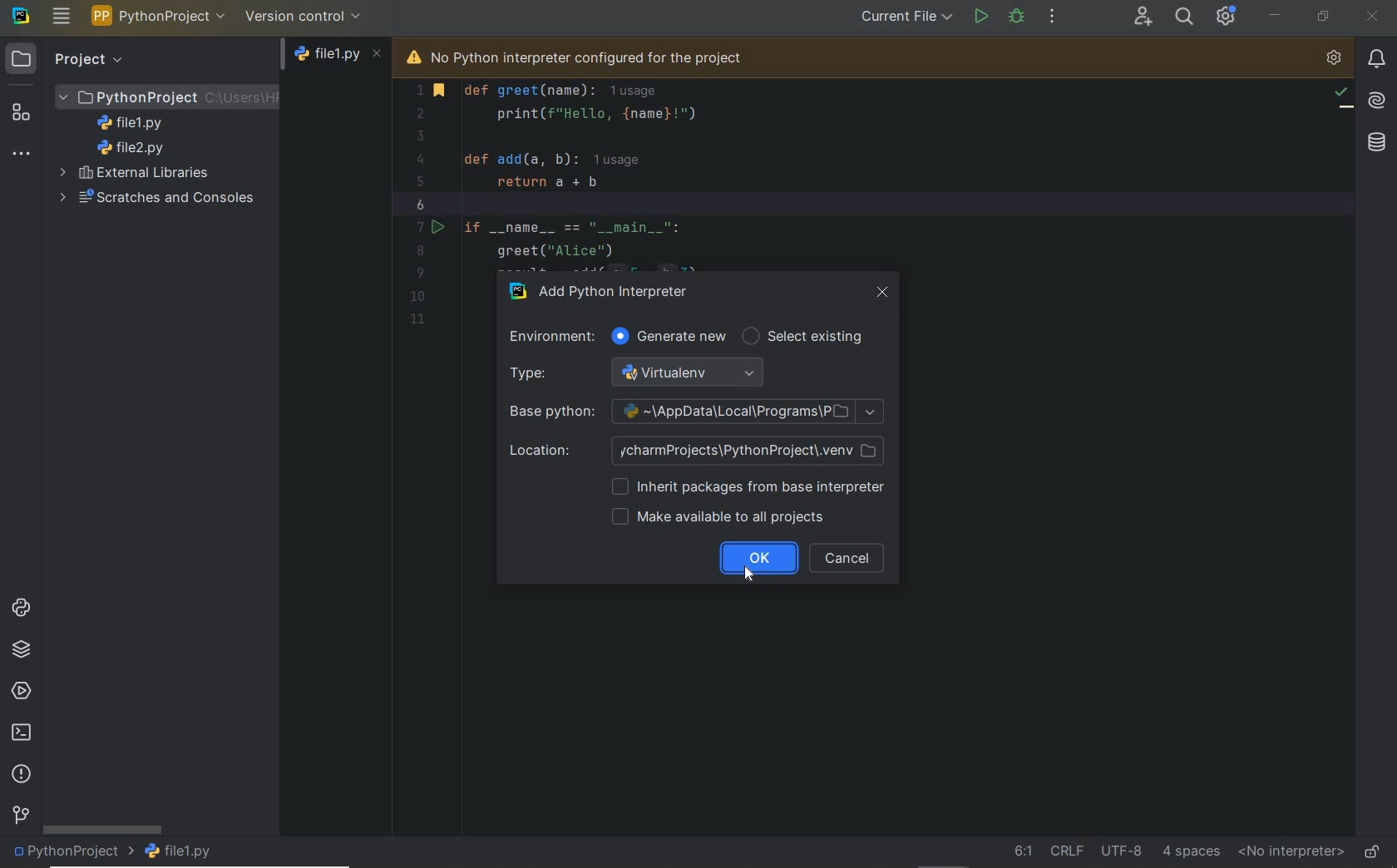 The height and width of the screenshot is (868, 1397). I want to click on go to line, so click(1022, 851).